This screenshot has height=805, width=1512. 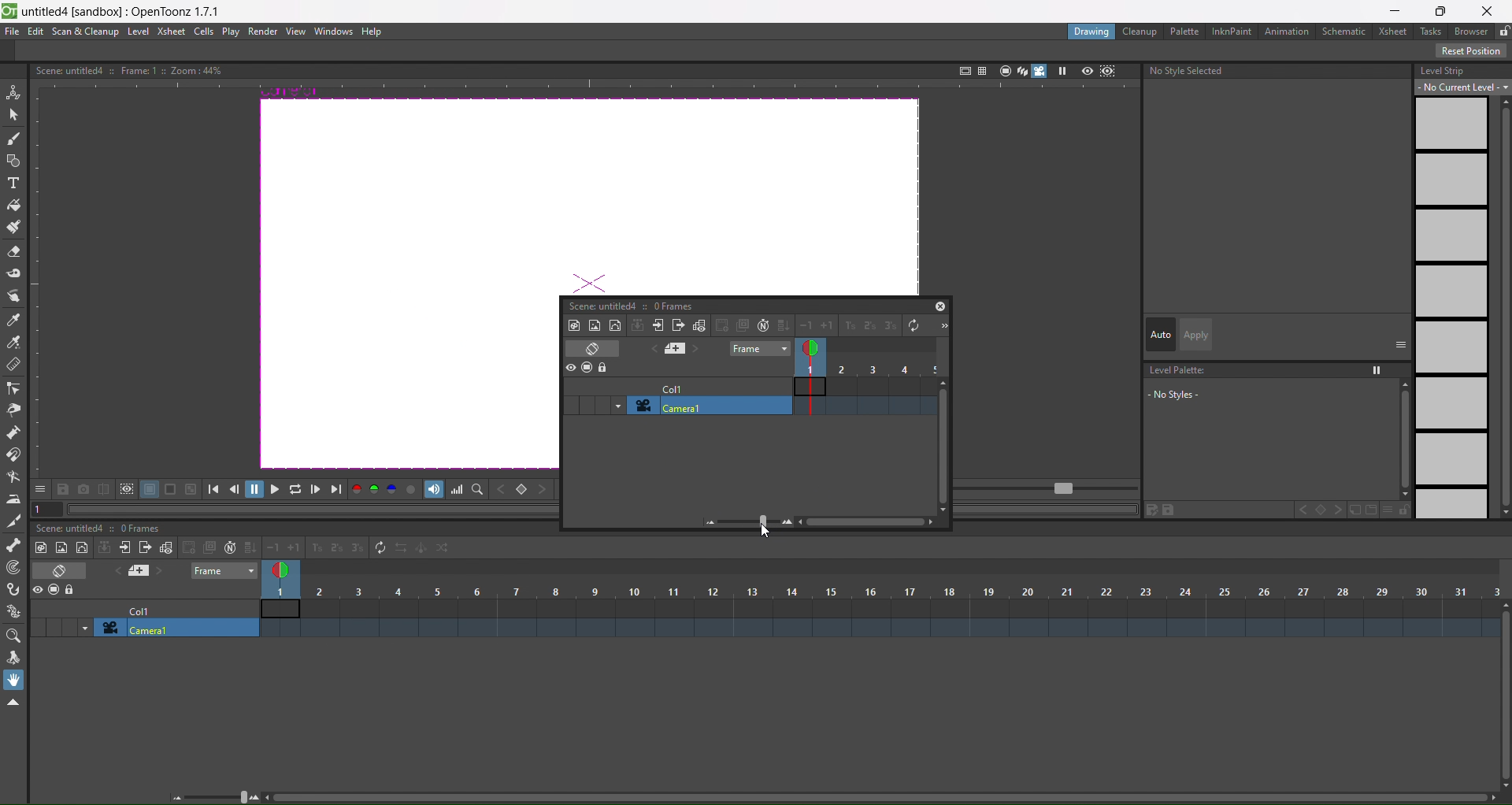 What do you see at coordinates (1031, 71) in the screenshot?
I see `camera view` at bounding box center [1031, 71].